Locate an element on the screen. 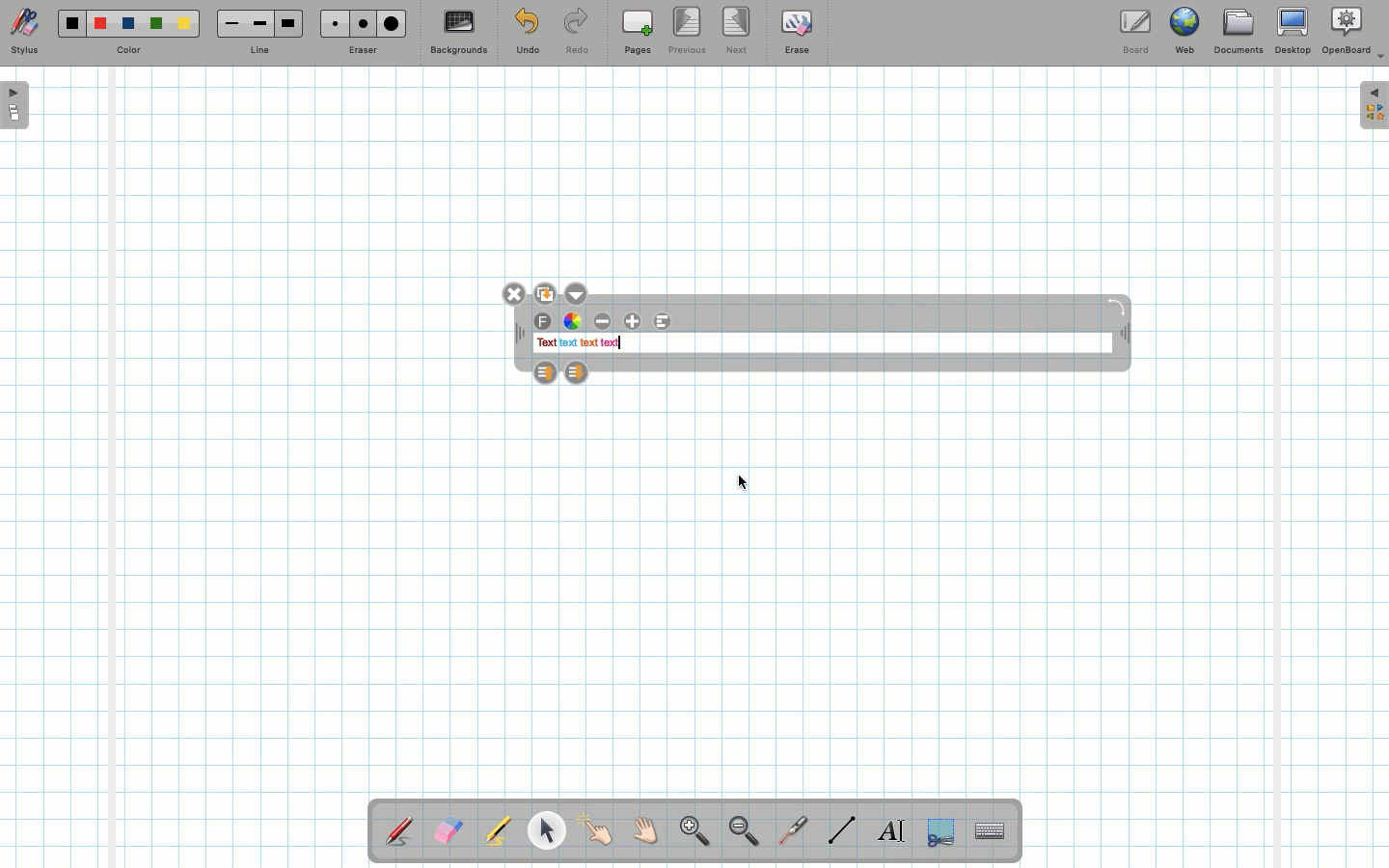  Erase is located at coordinates (796, 31).